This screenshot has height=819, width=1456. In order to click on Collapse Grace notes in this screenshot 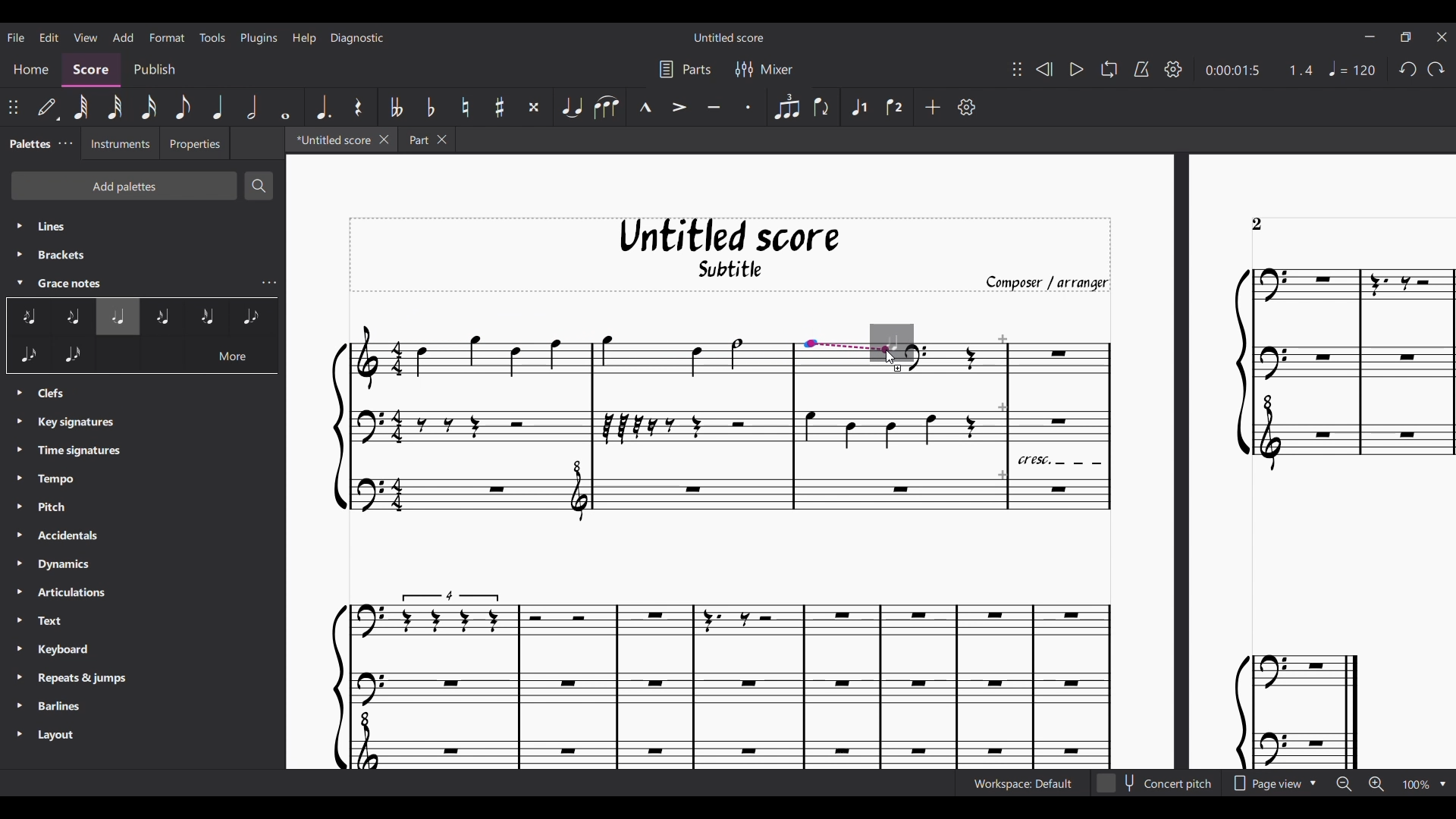, I will do `click(20, 282)`.